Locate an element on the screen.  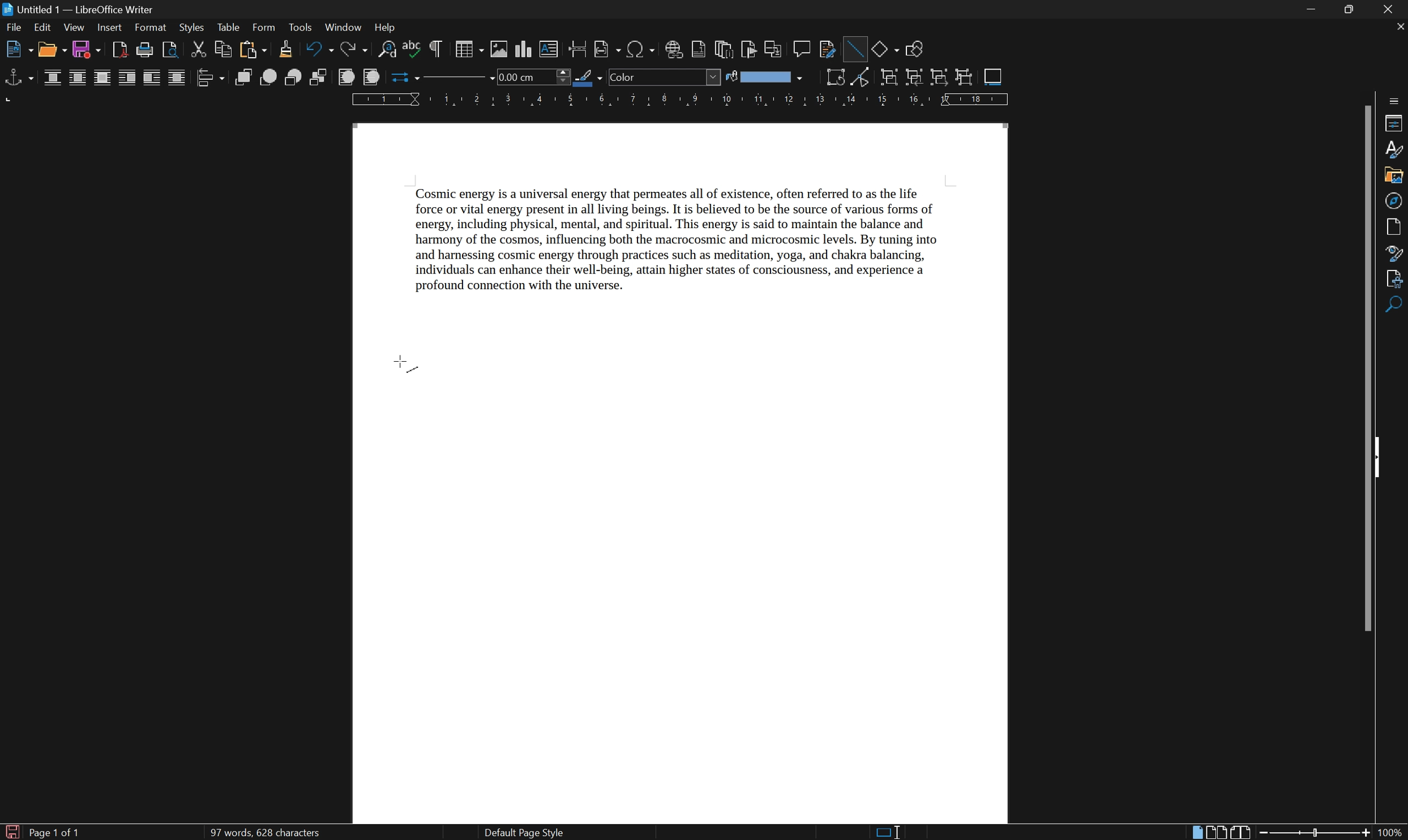
gallery is located at coordinates (1393, 177).